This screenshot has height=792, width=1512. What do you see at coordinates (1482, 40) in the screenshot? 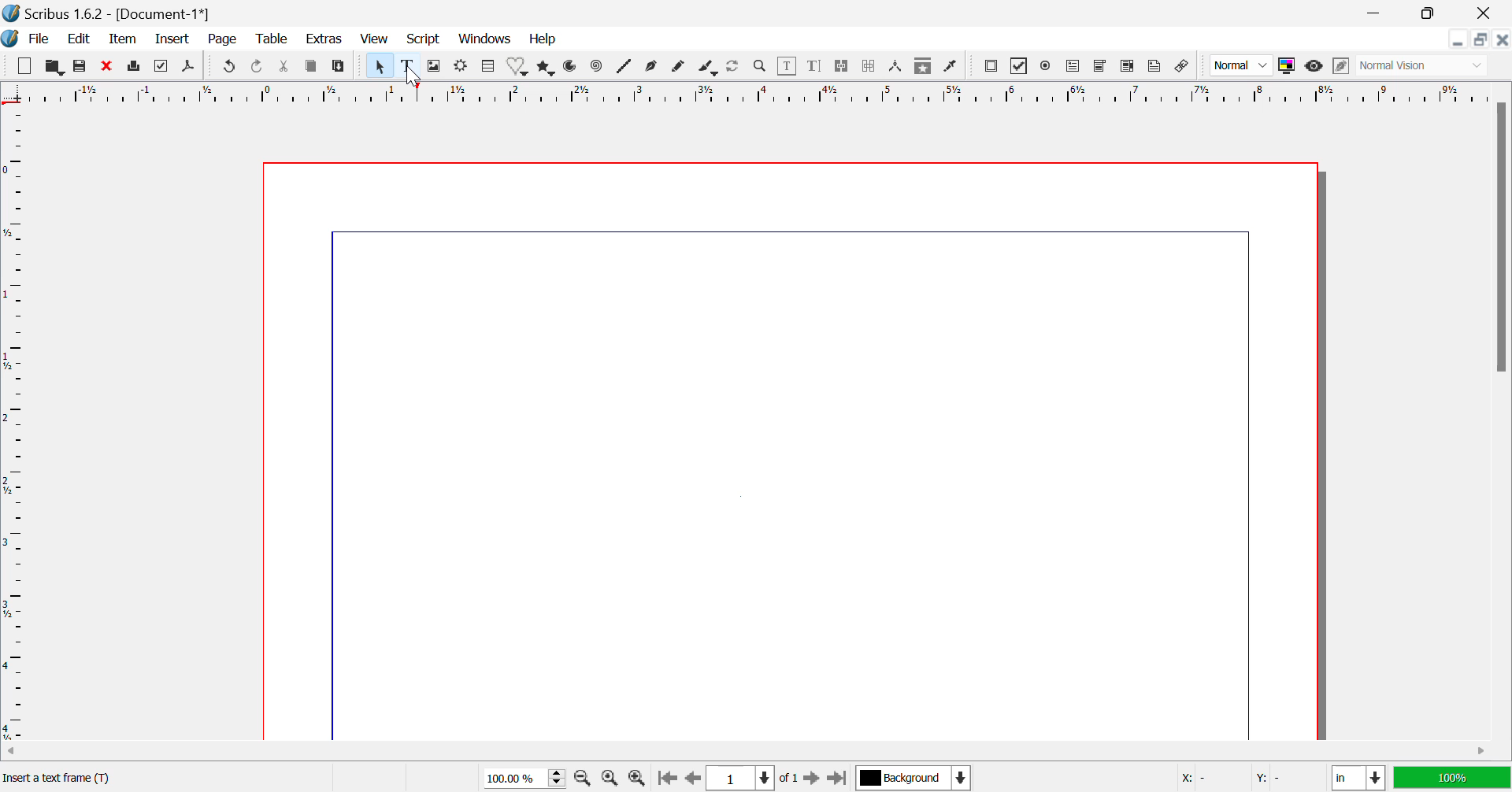
I see `Minimize` at bounding box center [1482, 40].